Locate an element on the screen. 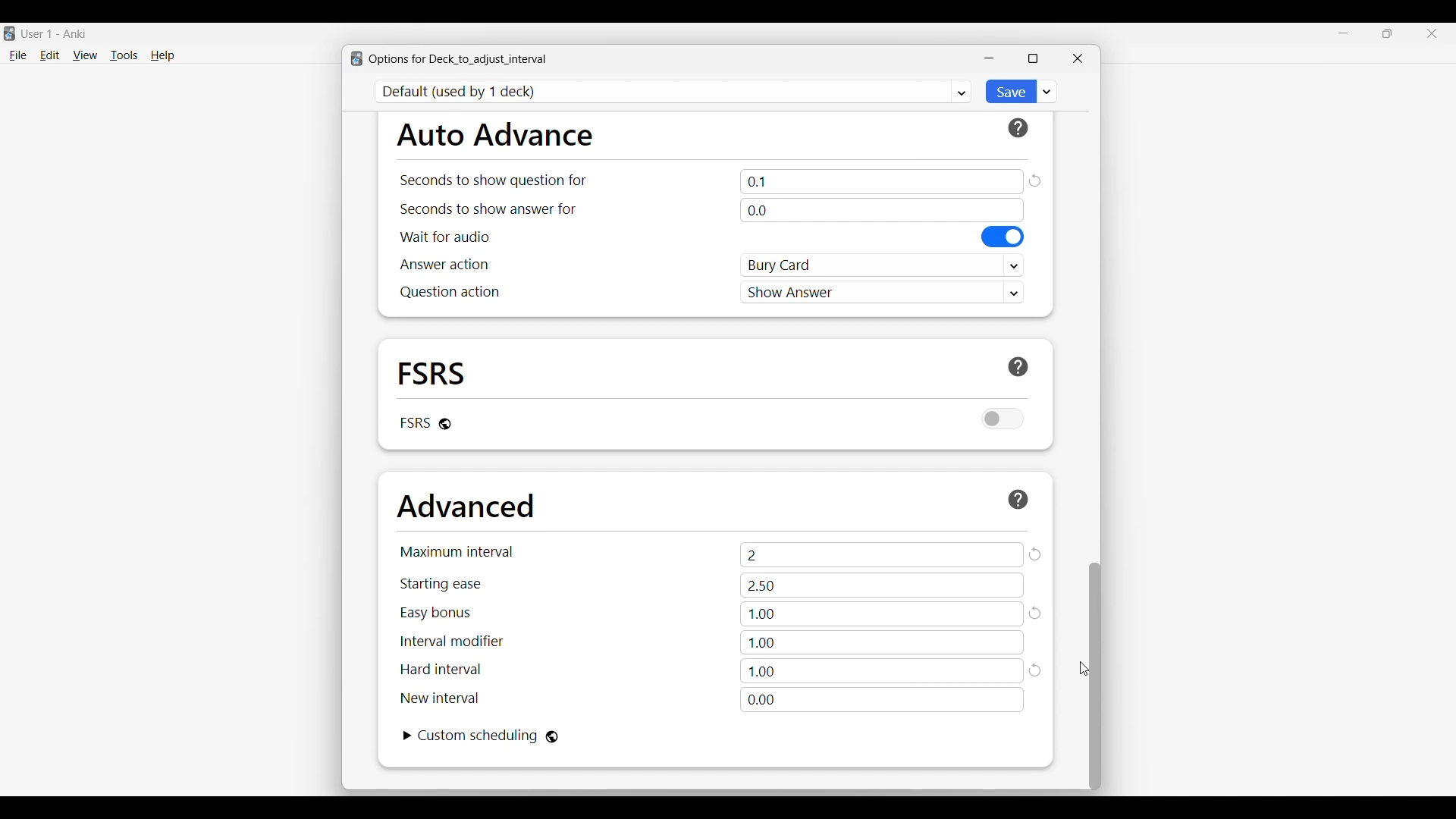 The width and height of the screenshot is (1456, 819). 0.00 is located at coordinates (882, 700).